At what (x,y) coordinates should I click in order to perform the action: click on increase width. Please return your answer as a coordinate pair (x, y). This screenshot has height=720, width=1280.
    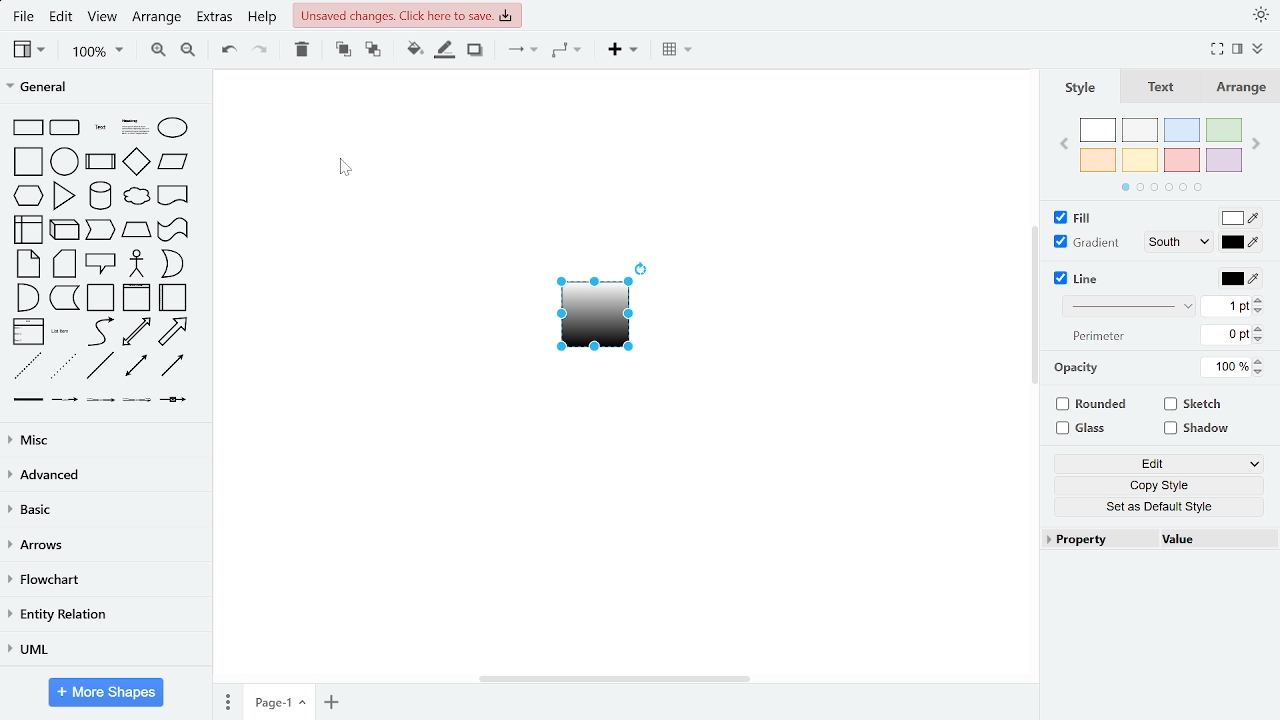
    Looking at the image, I should click on (1261, 329).